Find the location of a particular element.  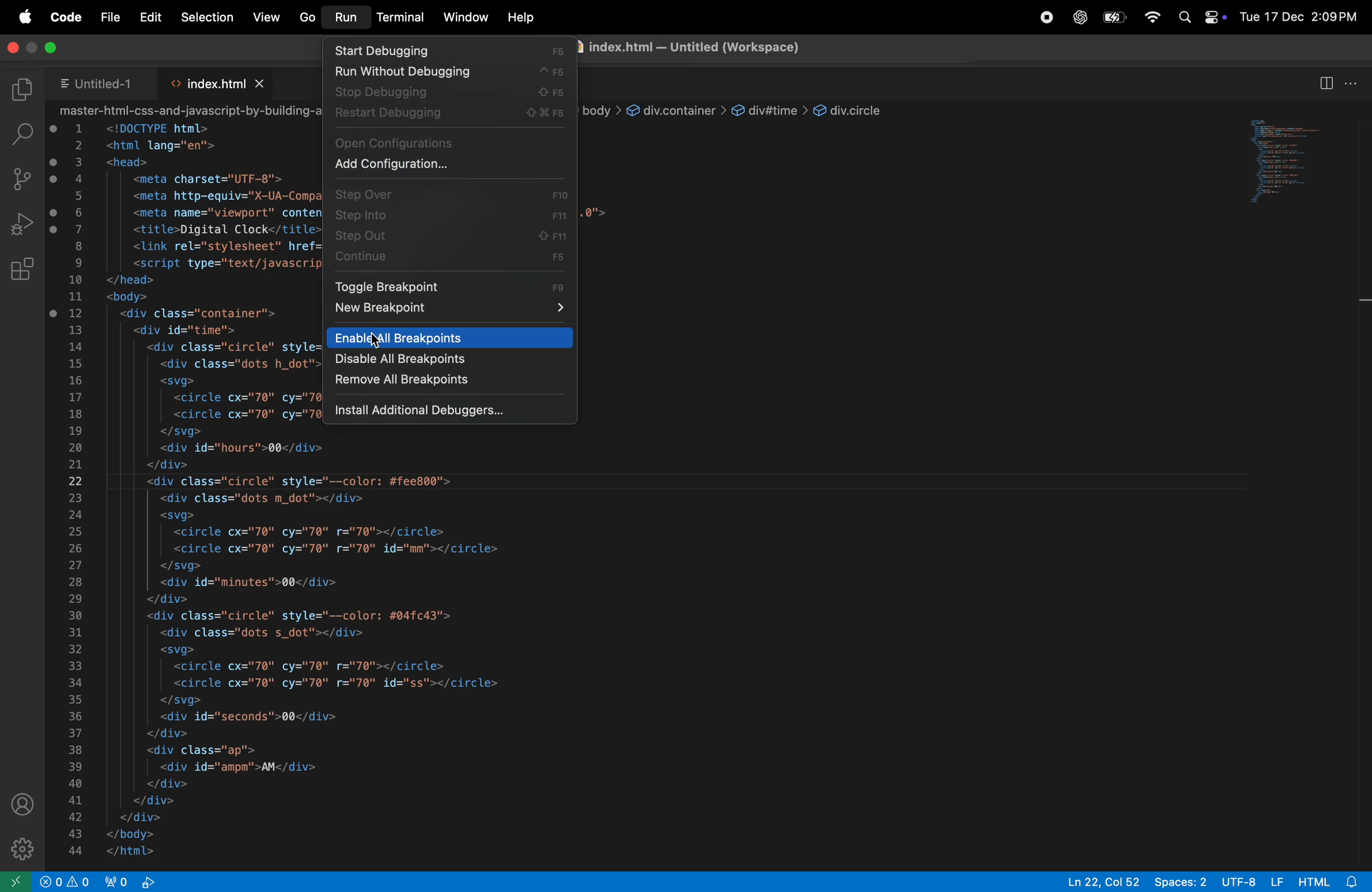

remove all breapoints is located at coordinates (452, 381).